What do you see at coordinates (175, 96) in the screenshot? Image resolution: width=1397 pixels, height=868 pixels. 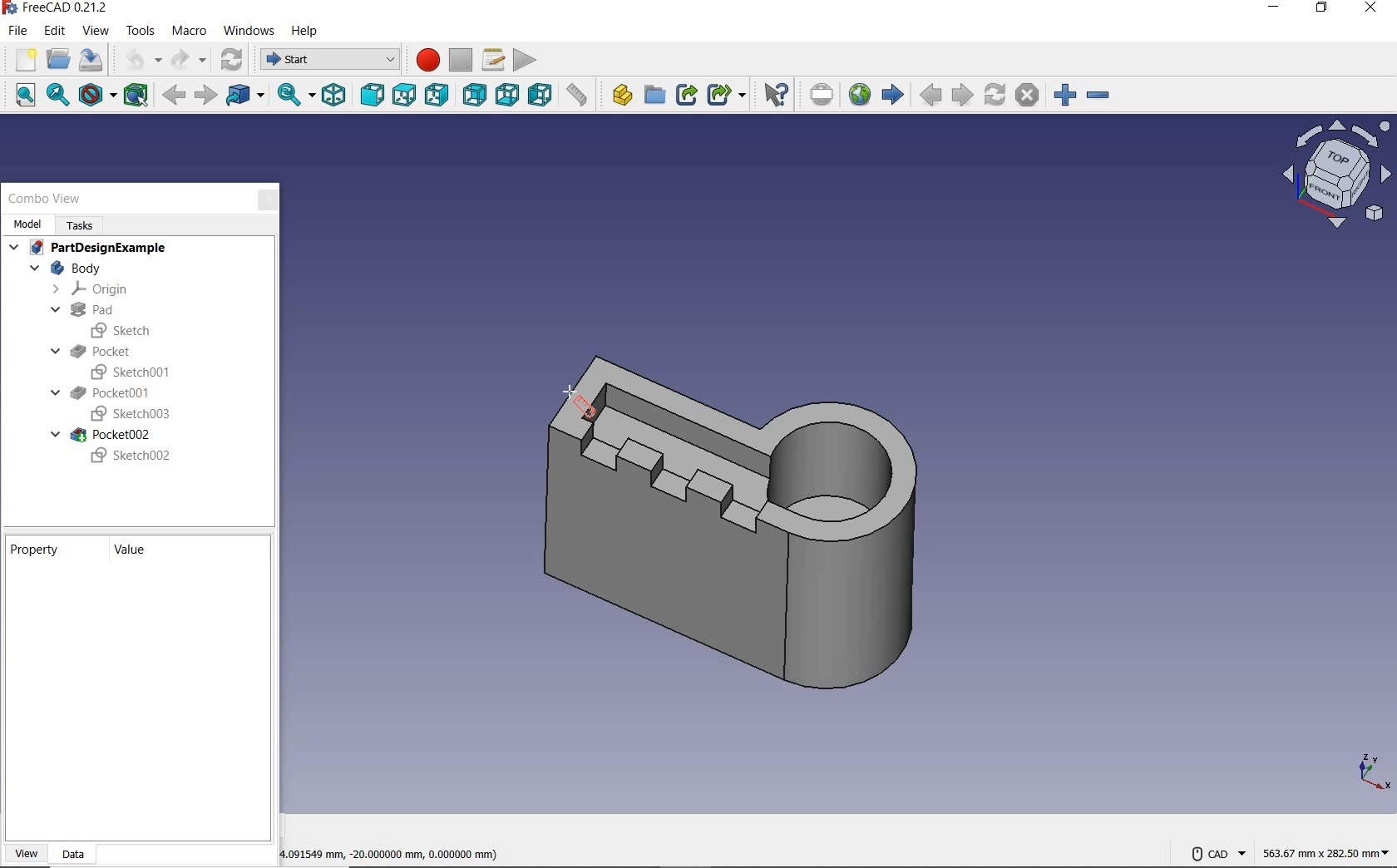 I see `back` at bounding box center [175, 96].